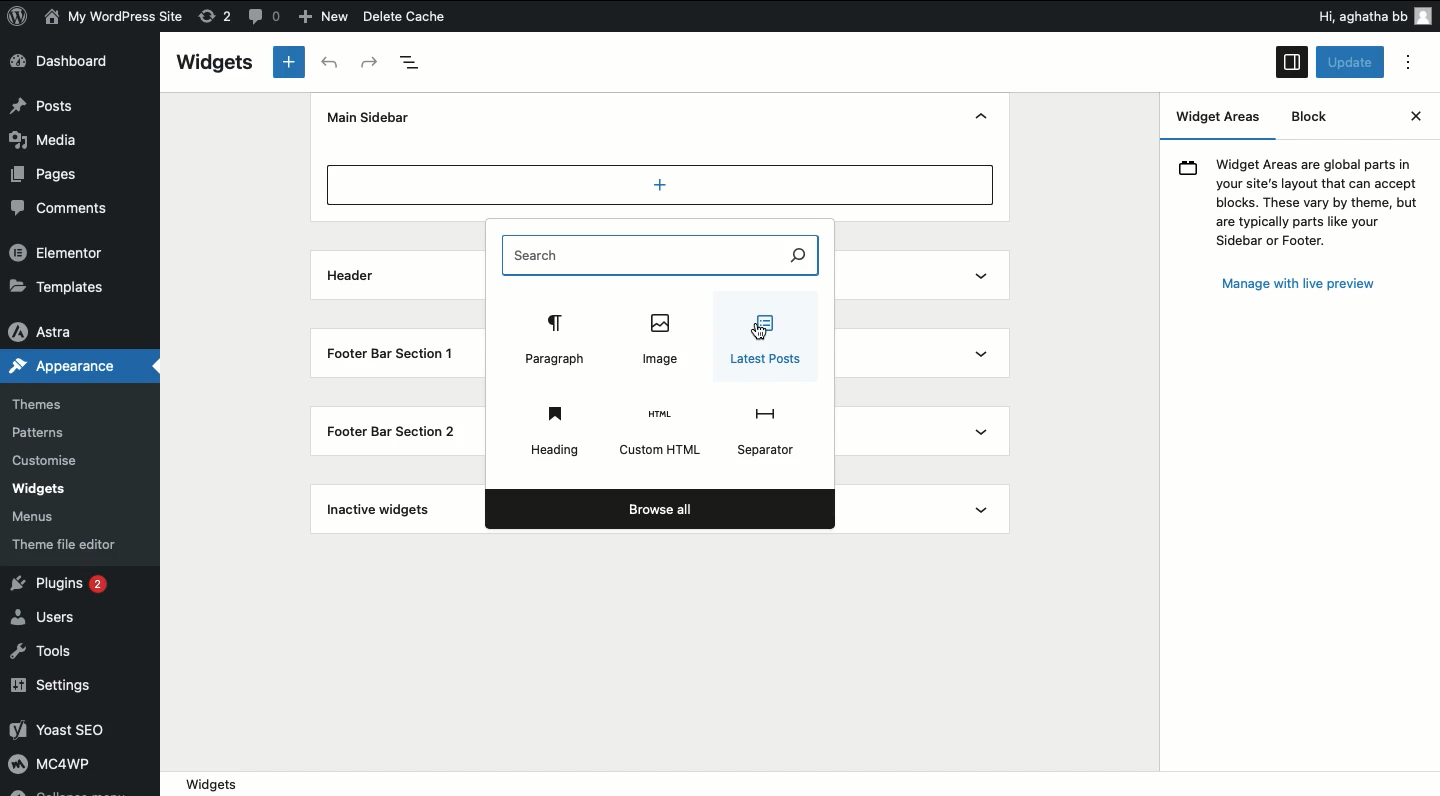  I want to click on Footer bar section 2, so click(400, 429).